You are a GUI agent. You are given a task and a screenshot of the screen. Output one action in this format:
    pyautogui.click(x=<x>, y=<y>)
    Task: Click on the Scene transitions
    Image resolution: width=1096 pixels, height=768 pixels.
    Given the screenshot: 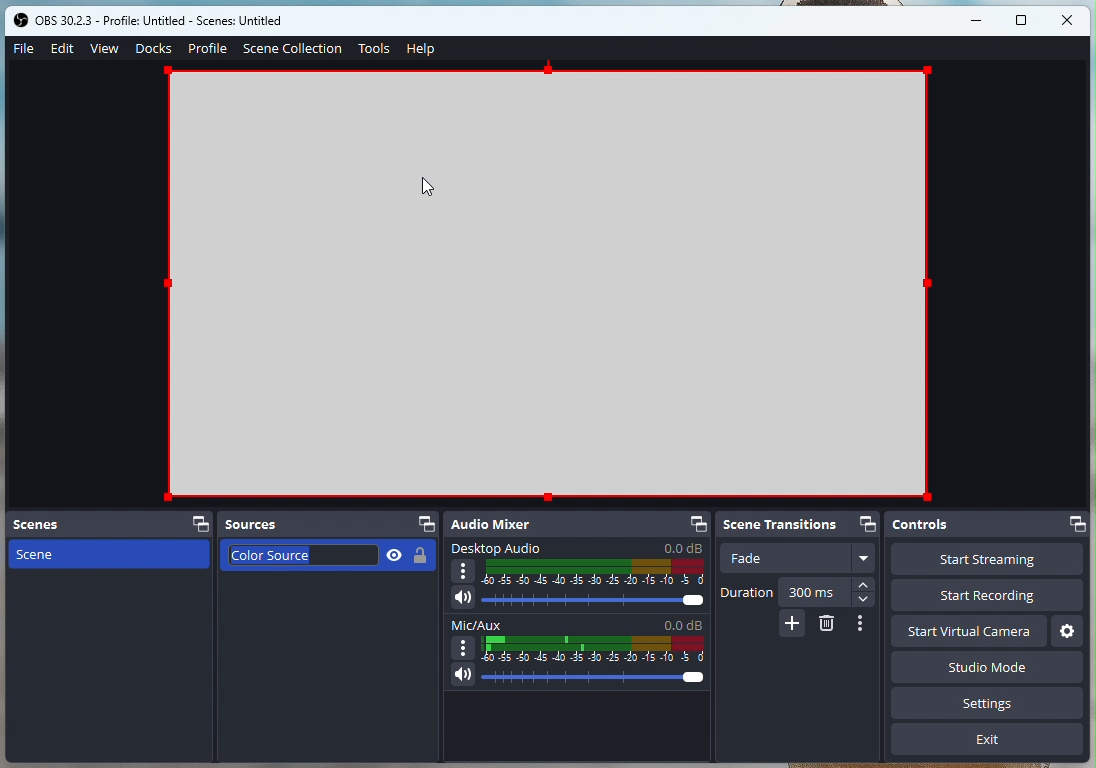 What is the action you would take?
    pyautogui.click(x=802, y=524)
    